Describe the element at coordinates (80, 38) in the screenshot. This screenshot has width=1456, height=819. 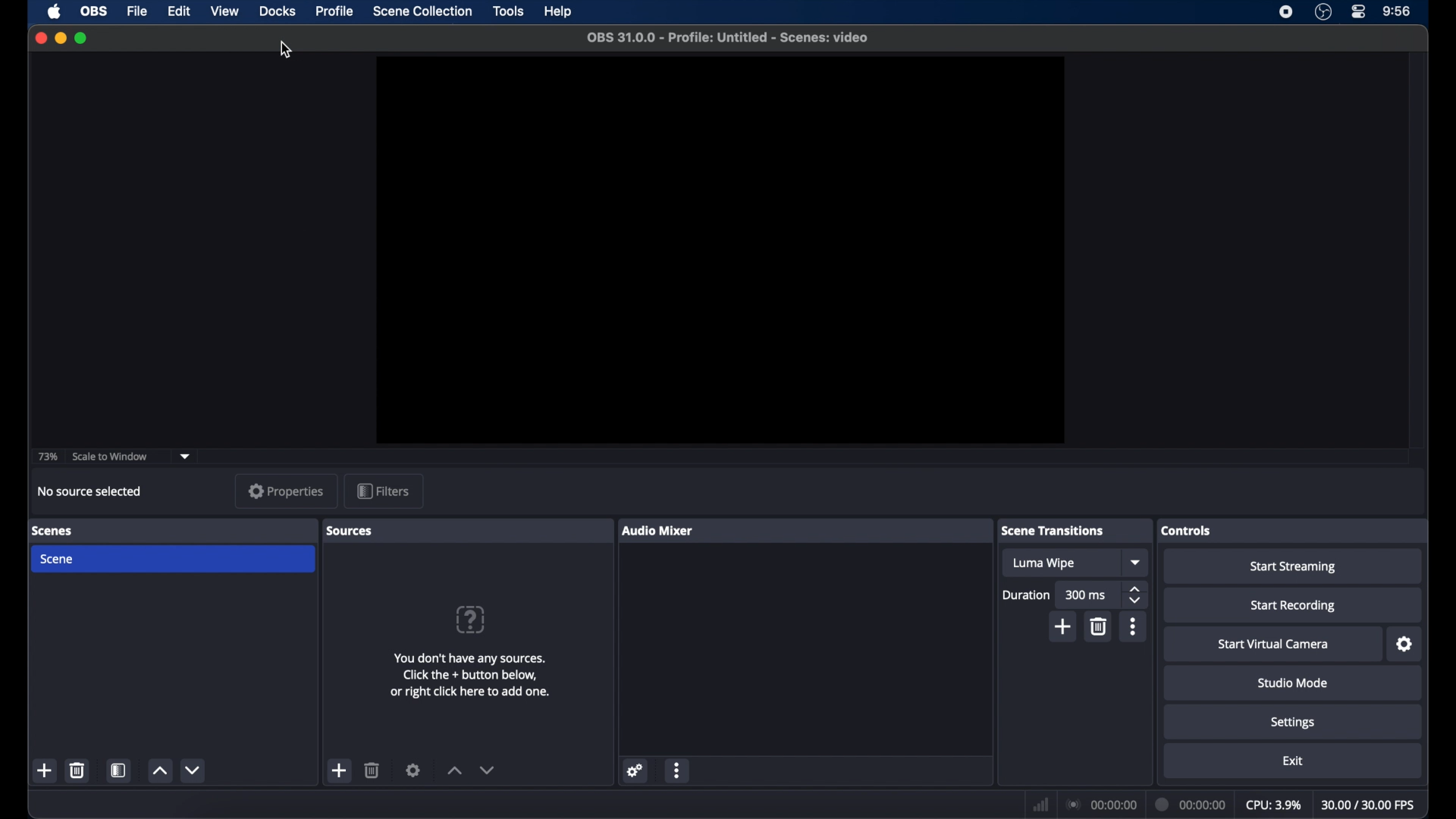
I see `maximize` at that location.